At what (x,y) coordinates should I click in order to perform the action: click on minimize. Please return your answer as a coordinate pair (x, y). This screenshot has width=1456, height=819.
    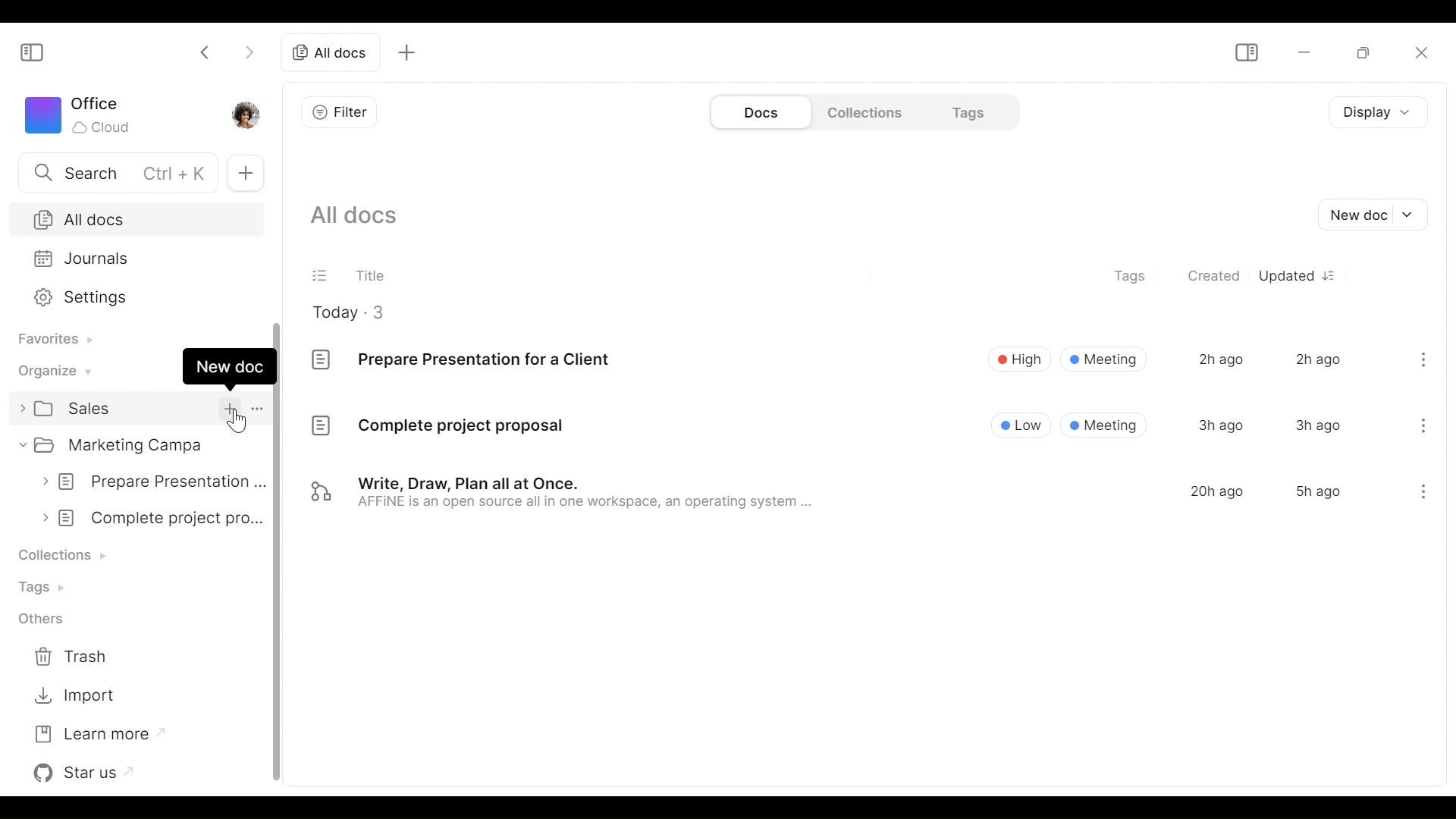
    Looking at the image, I should click on (1302, 52).